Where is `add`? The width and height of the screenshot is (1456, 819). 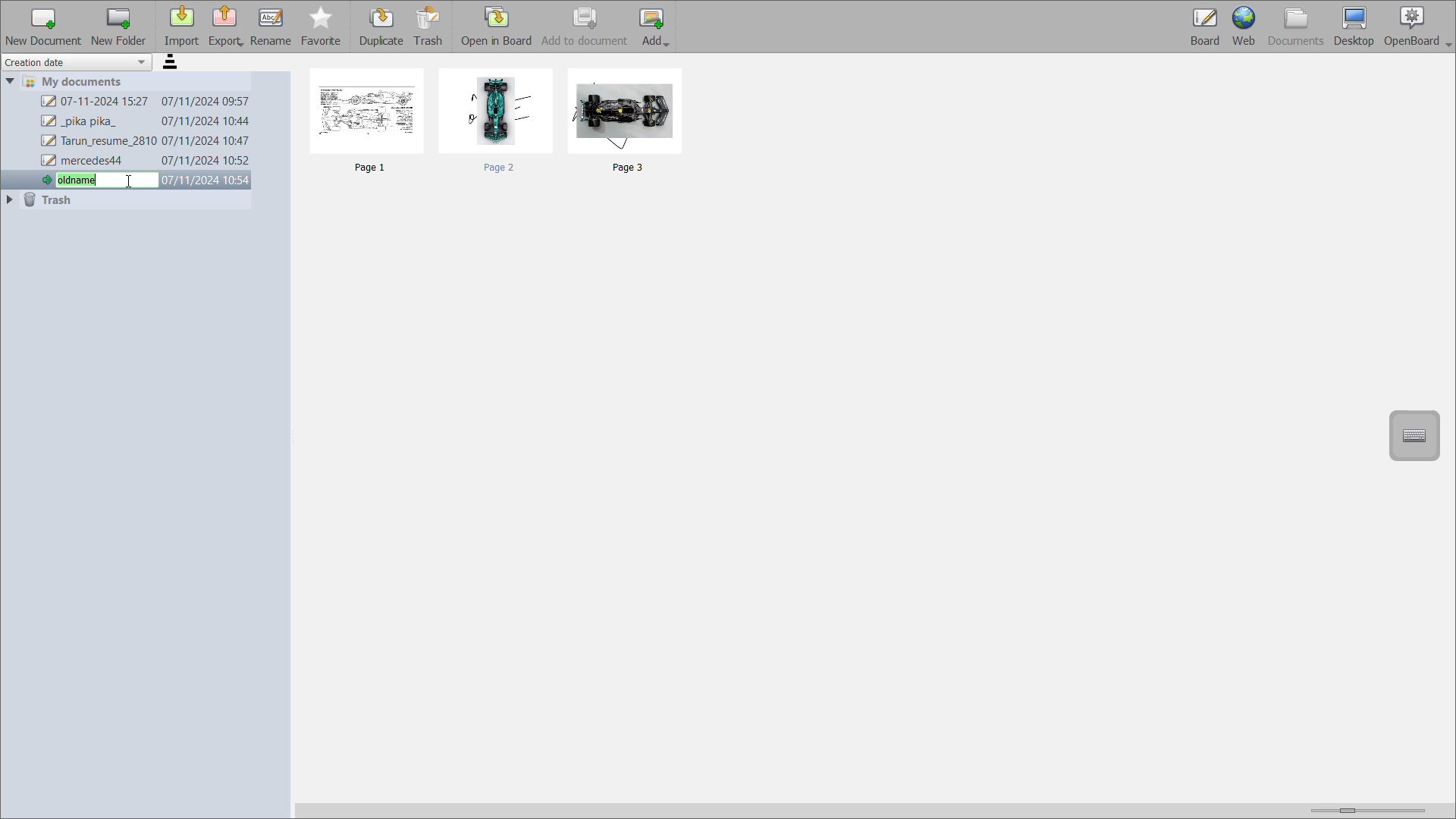
add is located at coordinates (656, 27).